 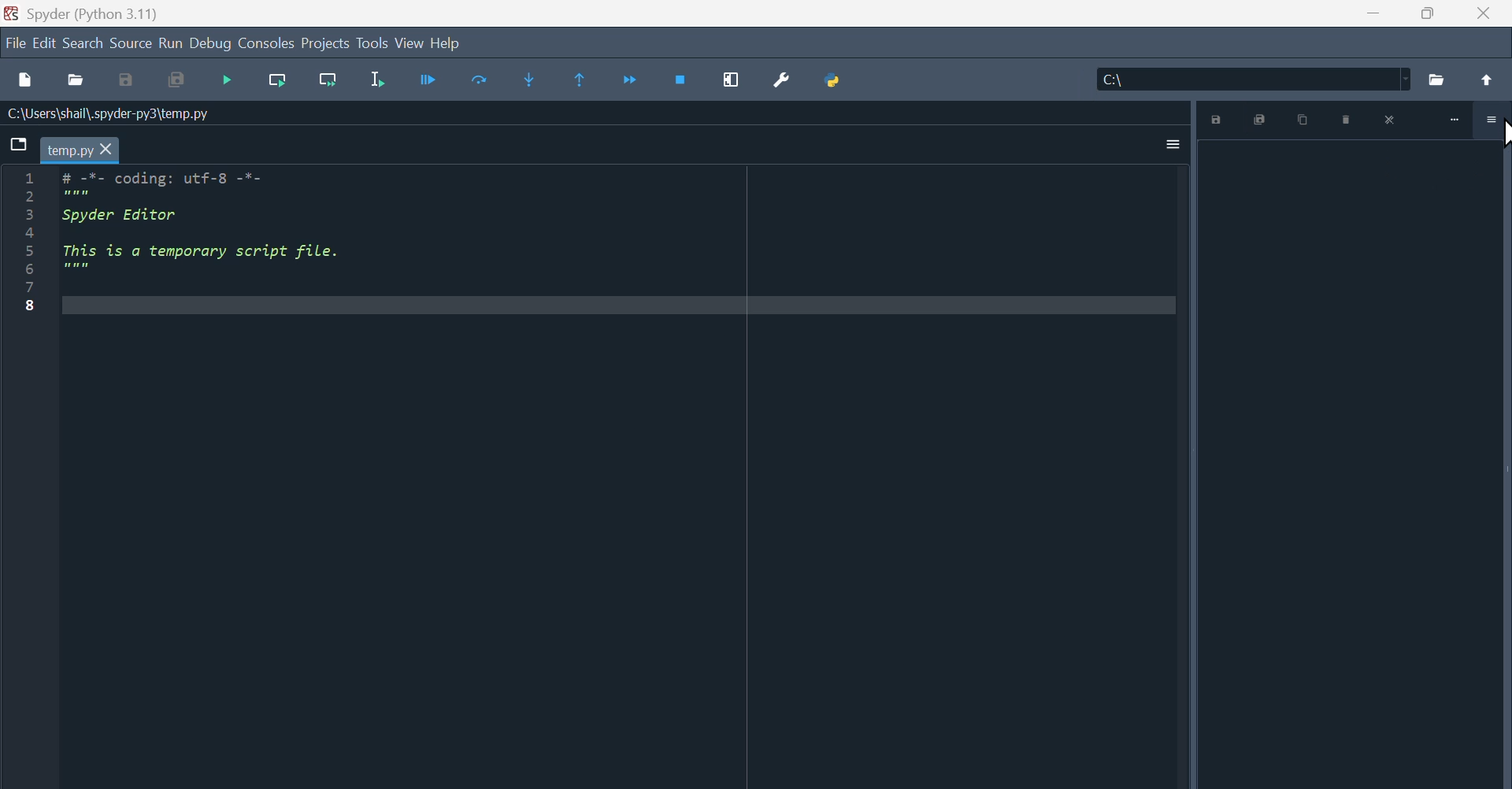 I want to click on Run current line, so click(x=328, y=80).